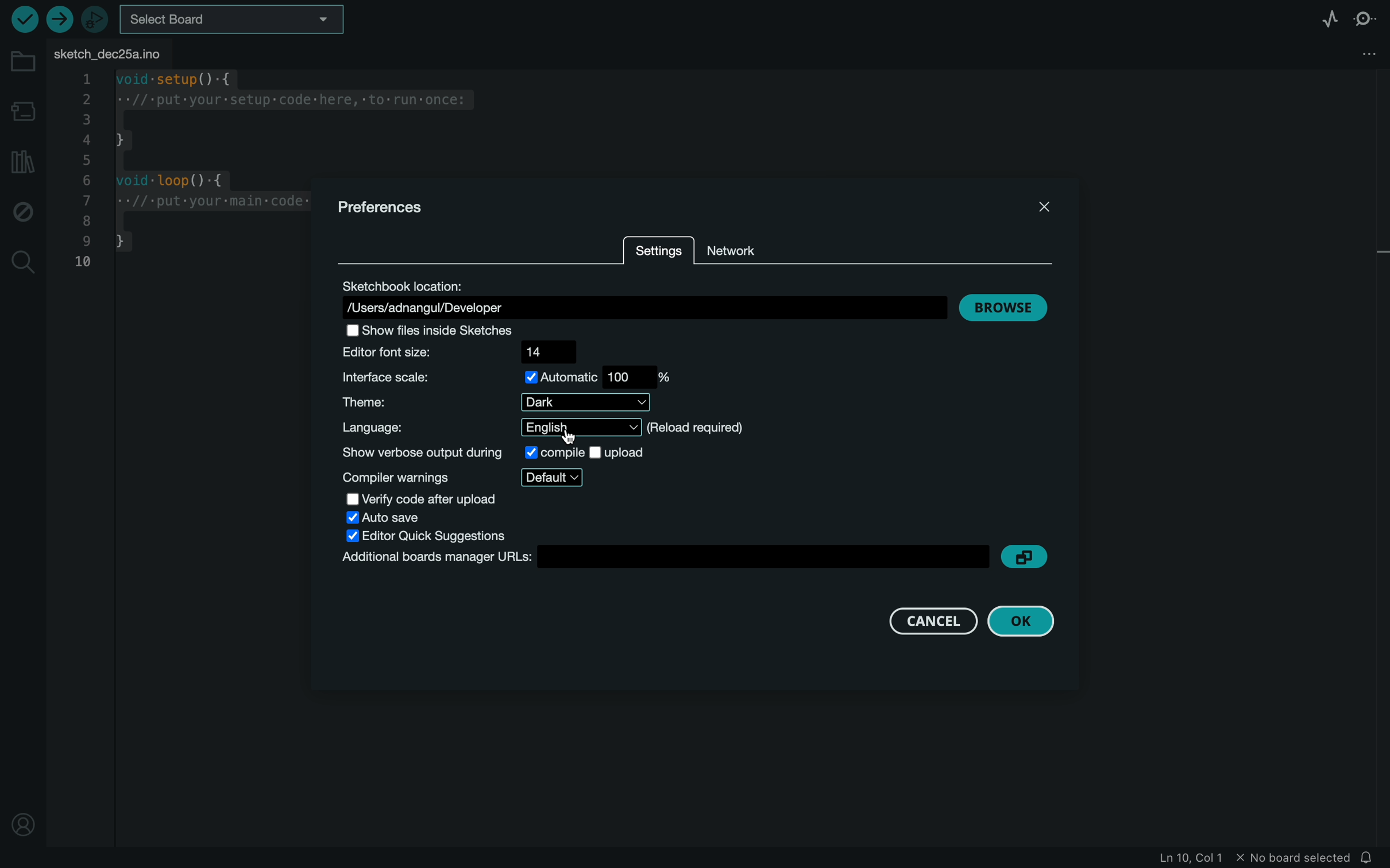 This screenshot has height=868, width=1390. I want to click on show  verbose, so click(491, 452).